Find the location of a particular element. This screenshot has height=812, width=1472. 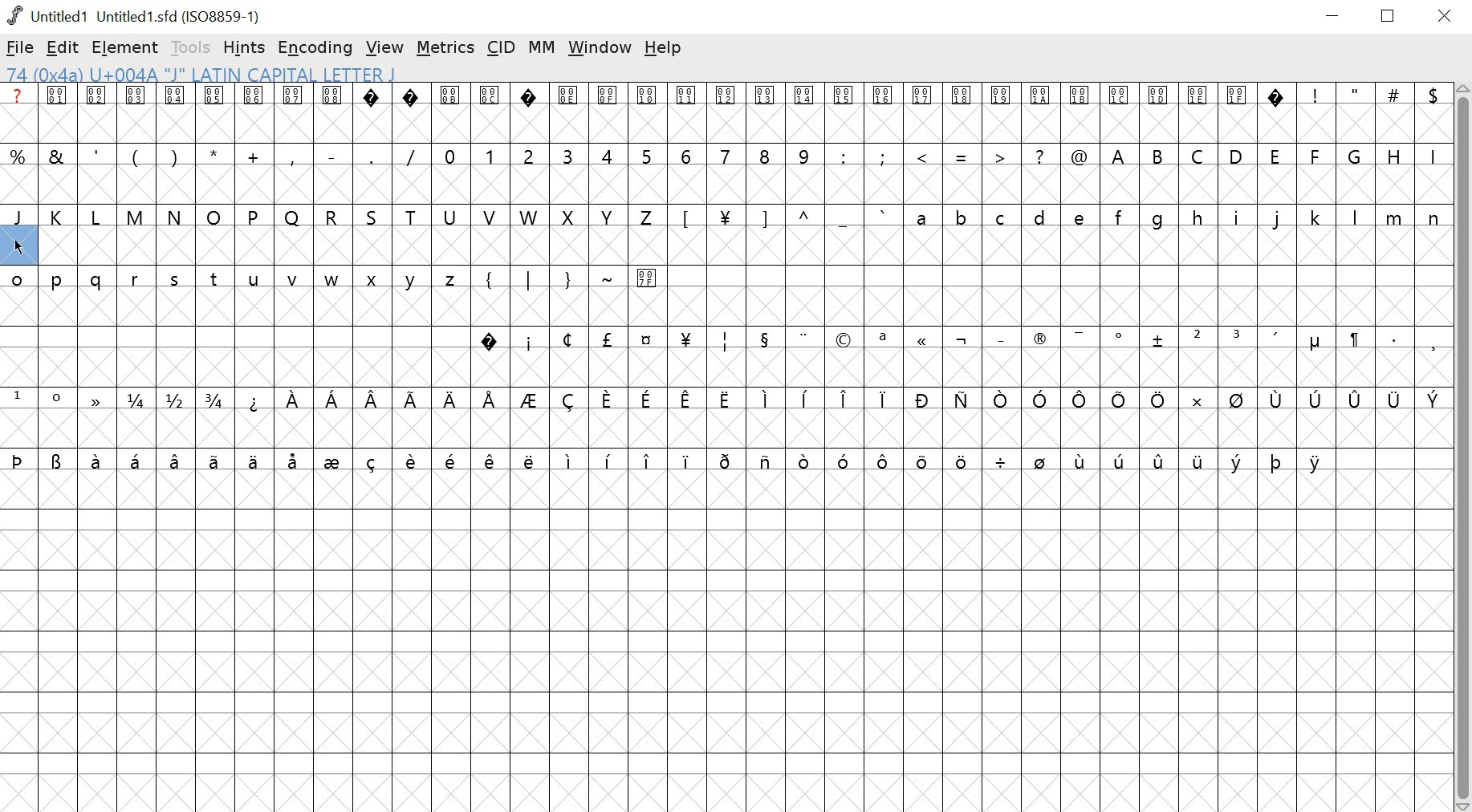

TOOLS is located at coordinates (193, 47).